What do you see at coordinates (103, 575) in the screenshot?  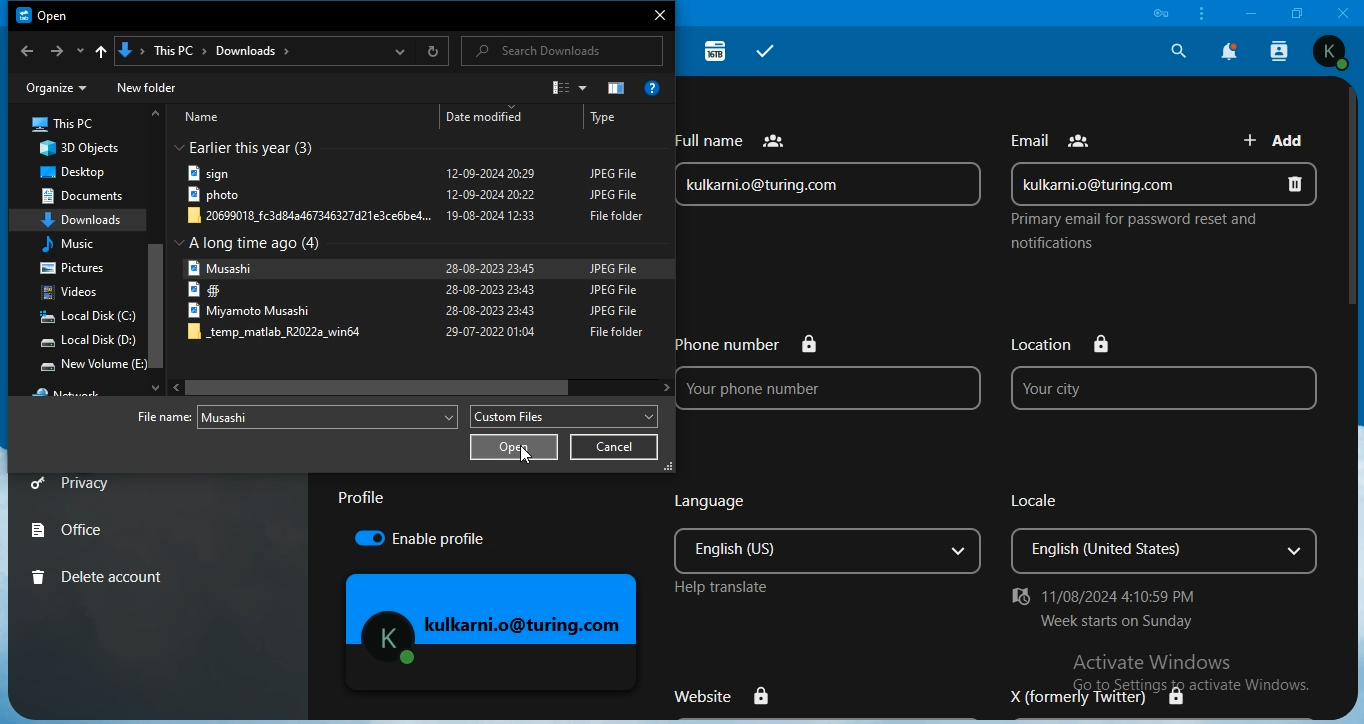 I see `delete account` at bounding box center [103, 575].